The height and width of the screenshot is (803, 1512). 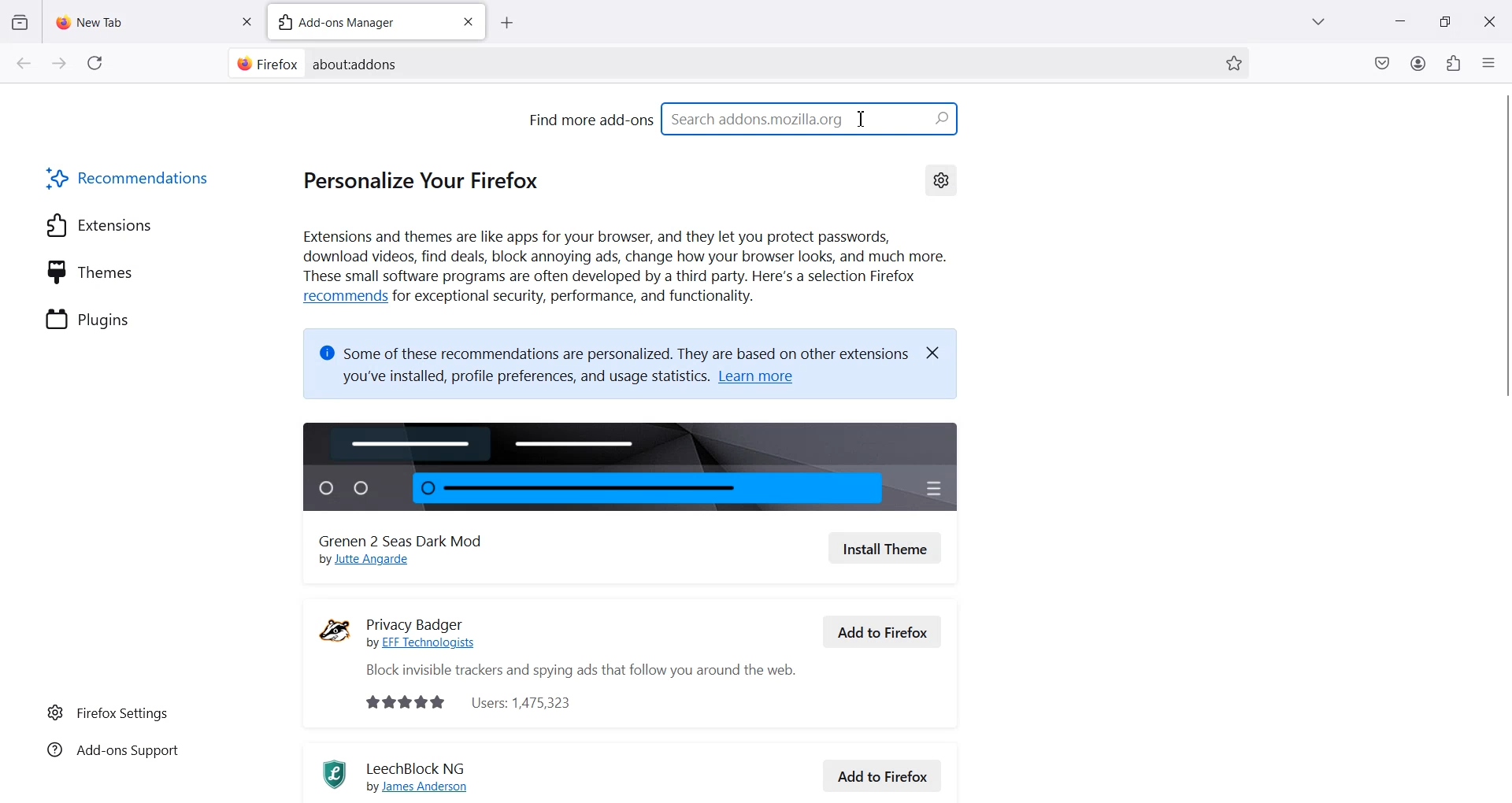 What do you see at coordinates (430, 179) in the screenshot?
I see `Personalize your Firefox` at bounding box center [430, 179].